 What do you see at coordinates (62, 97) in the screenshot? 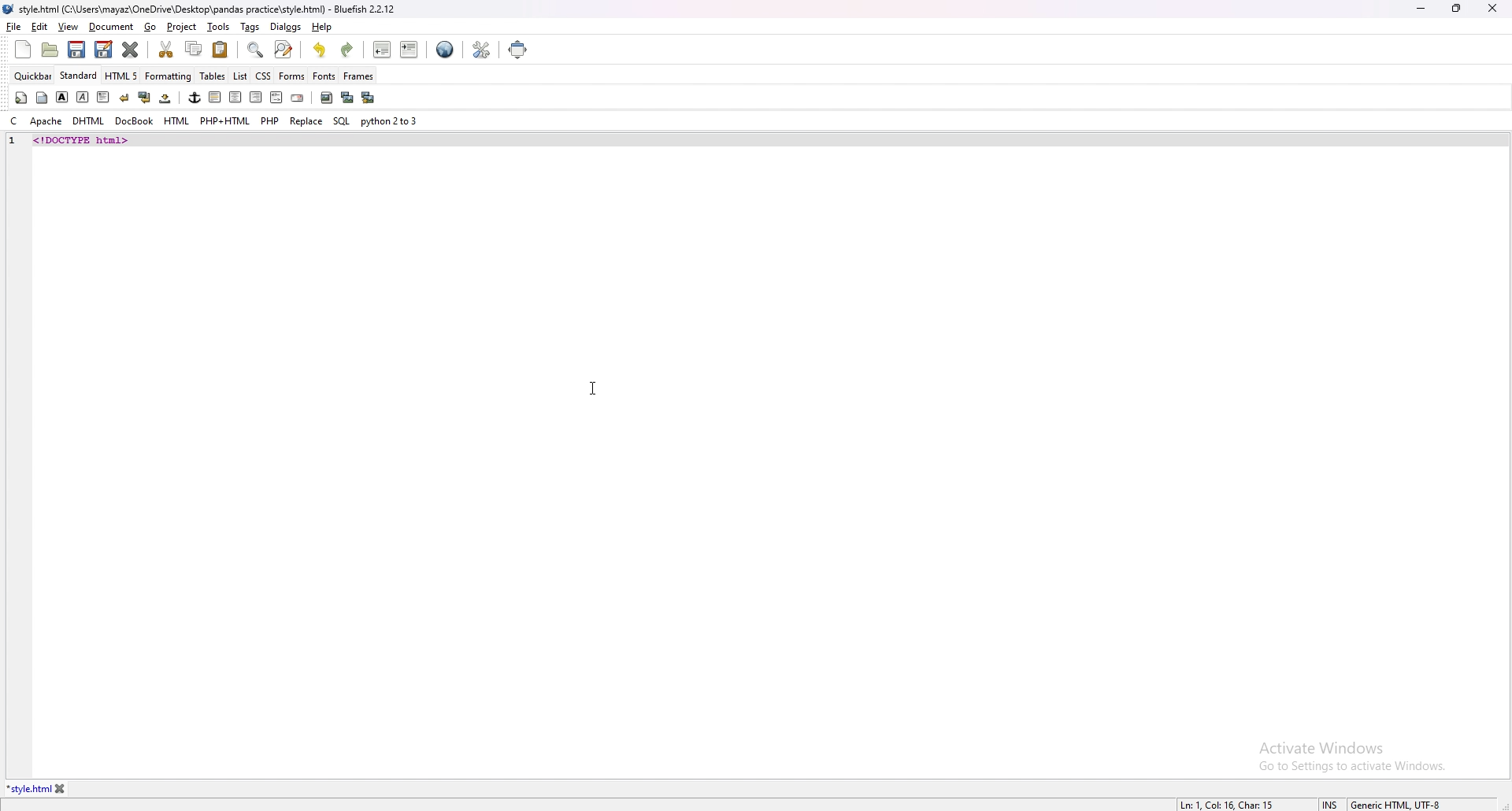
I see `bold` at bounding box center [62, 97].